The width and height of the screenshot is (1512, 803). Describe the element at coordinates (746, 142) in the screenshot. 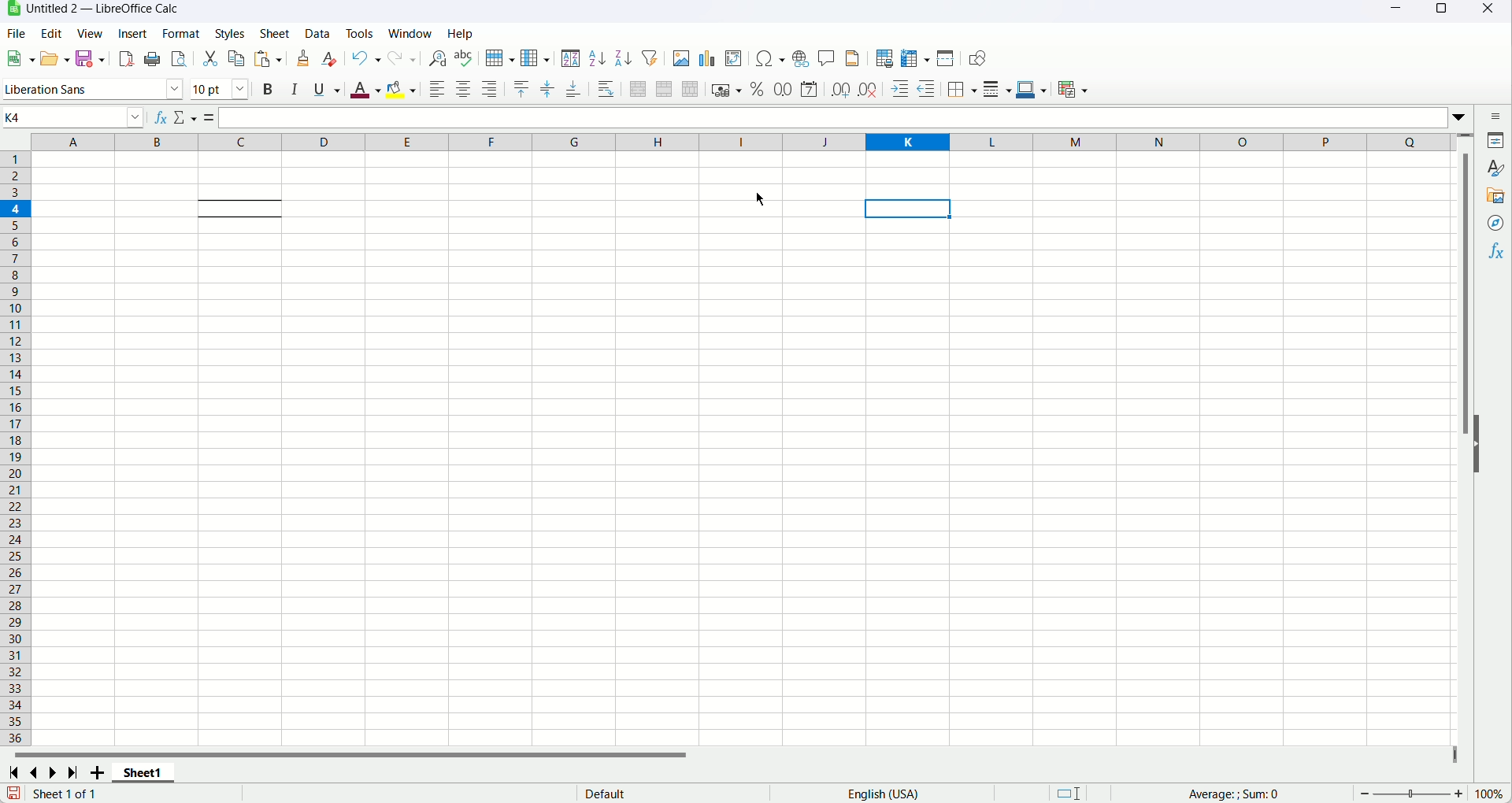

I see `Column name` at that location.